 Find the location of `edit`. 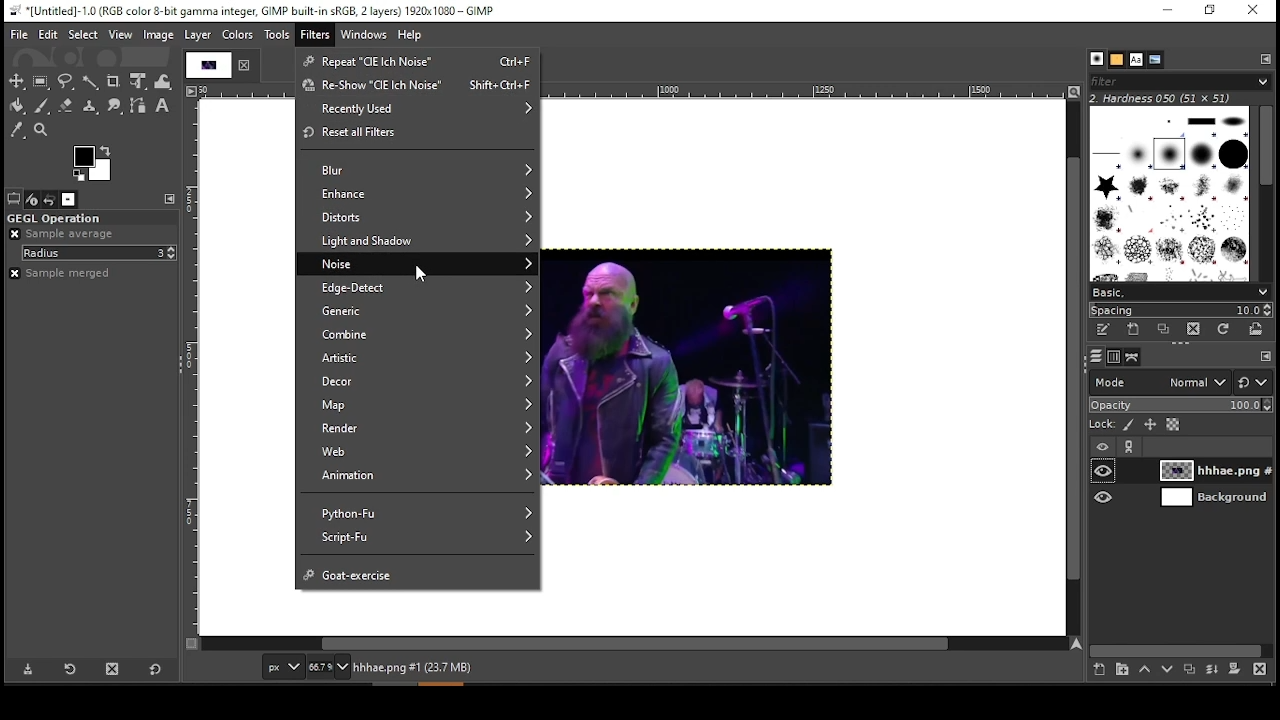

edit is located at coordinates (49, 34).